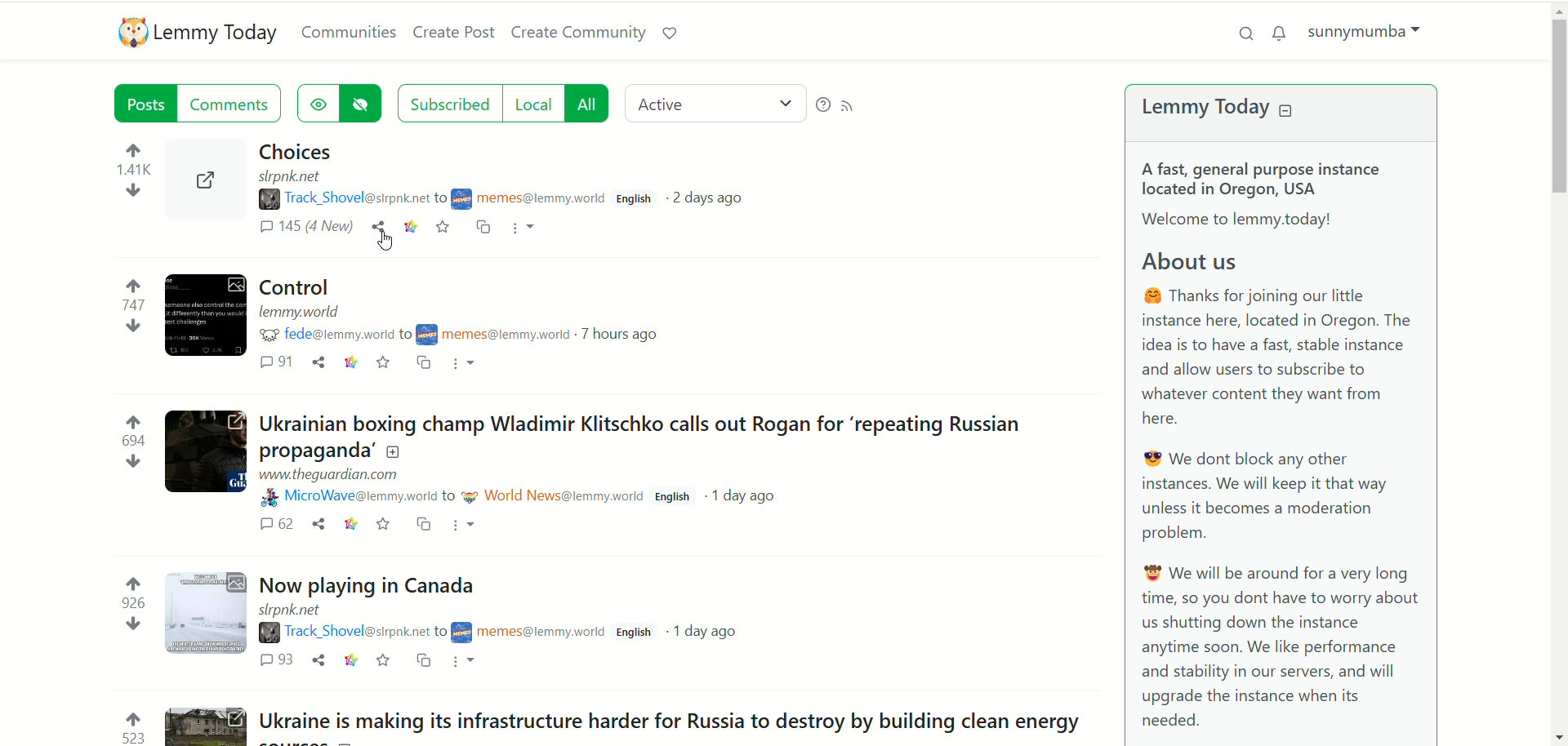  Describe the element at coordinates (206, 724) in the screenshot. I see `Expand the post with the image` at that location.